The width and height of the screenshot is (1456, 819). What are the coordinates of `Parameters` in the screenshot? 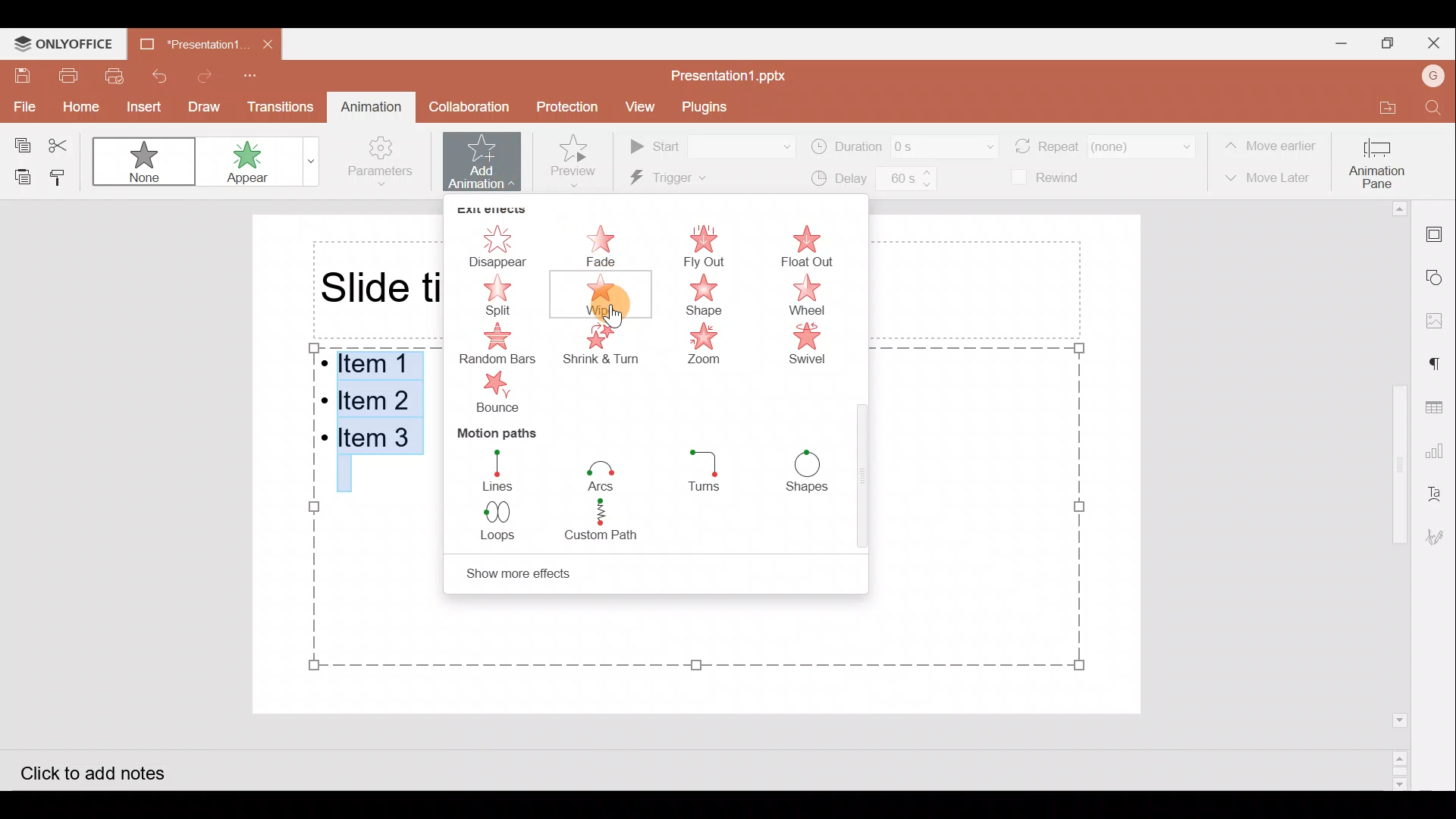 It's located at (385, 162).